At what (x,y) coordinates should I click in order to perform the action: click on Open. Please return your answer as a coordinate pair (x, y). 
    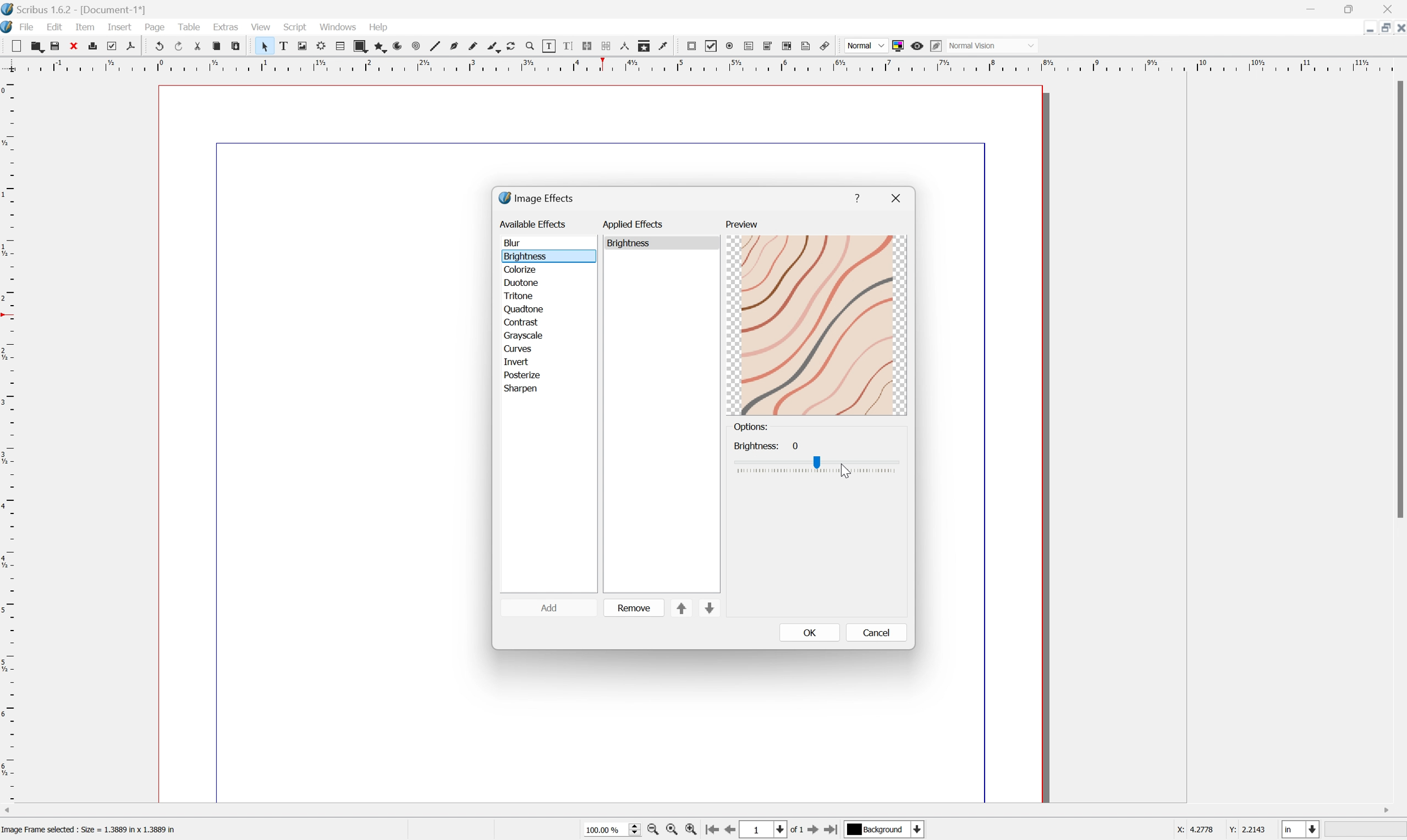
    Looking at the image, I should click on (36, 46).